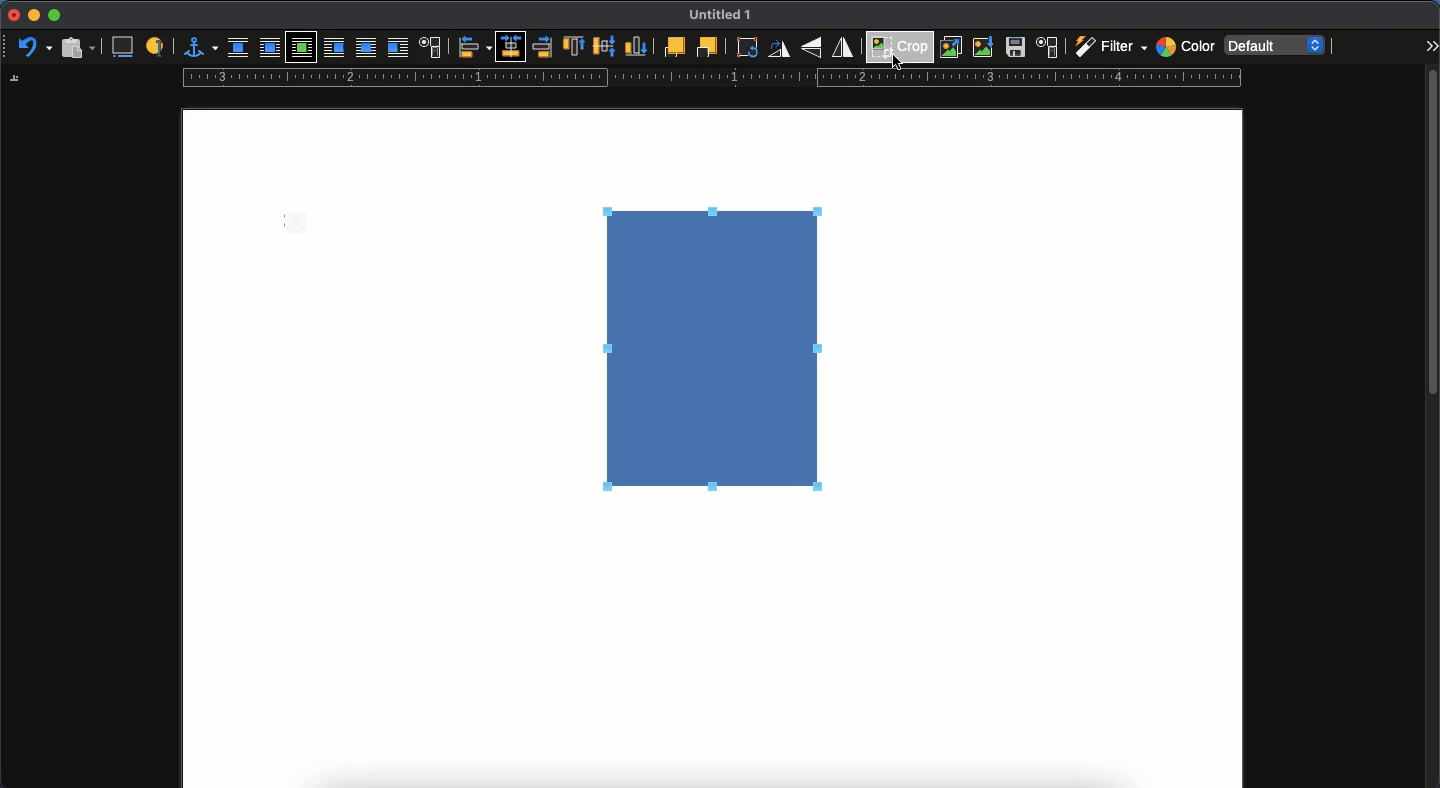 The image size is (1440, 788). What do you see at coordinates (711, 78) in the screenshot?
I see `guide` at bounding box center [711, 78].